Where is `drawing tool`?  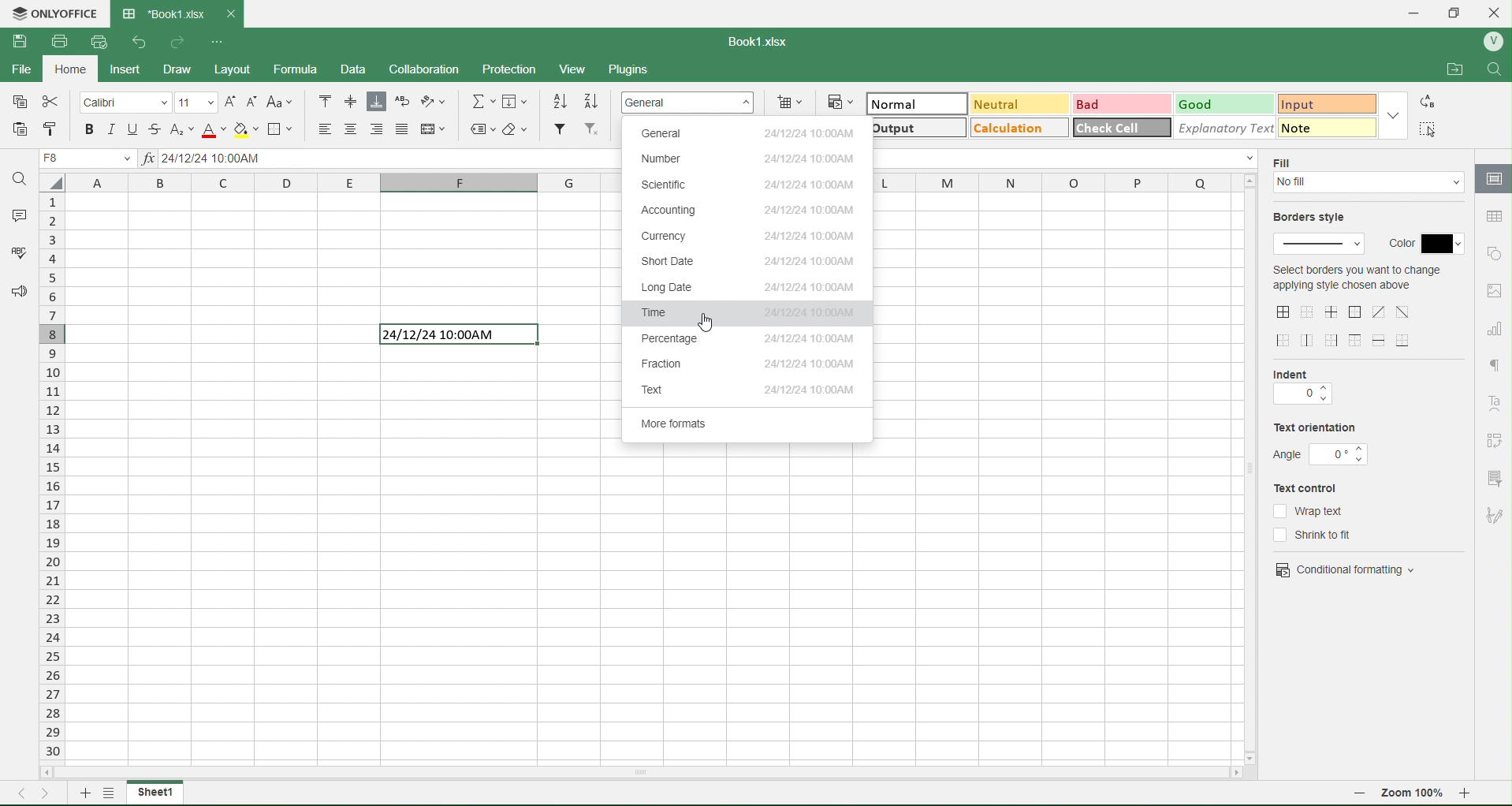 drawing tool is located at coordinates (1493, 515).